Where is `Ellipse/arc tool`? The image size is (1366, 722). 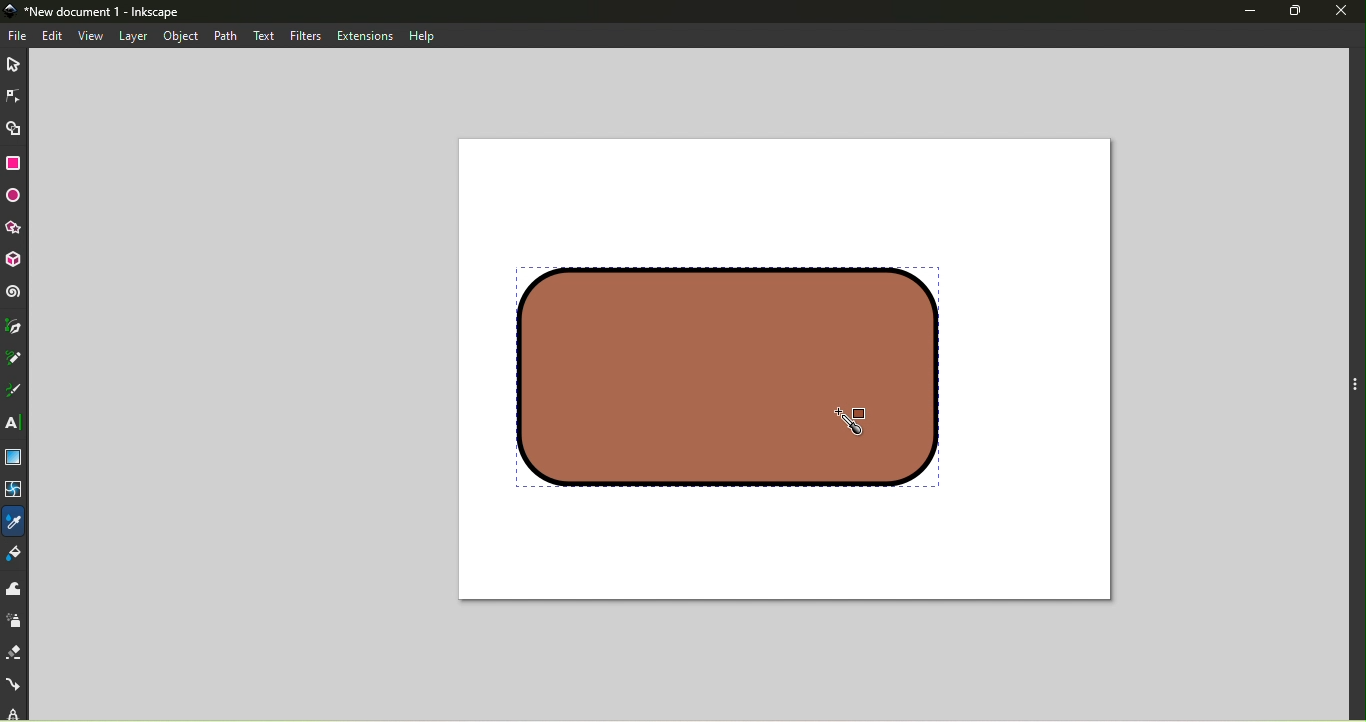
Ellipse/arc tool is located at coordinates (16, 197).